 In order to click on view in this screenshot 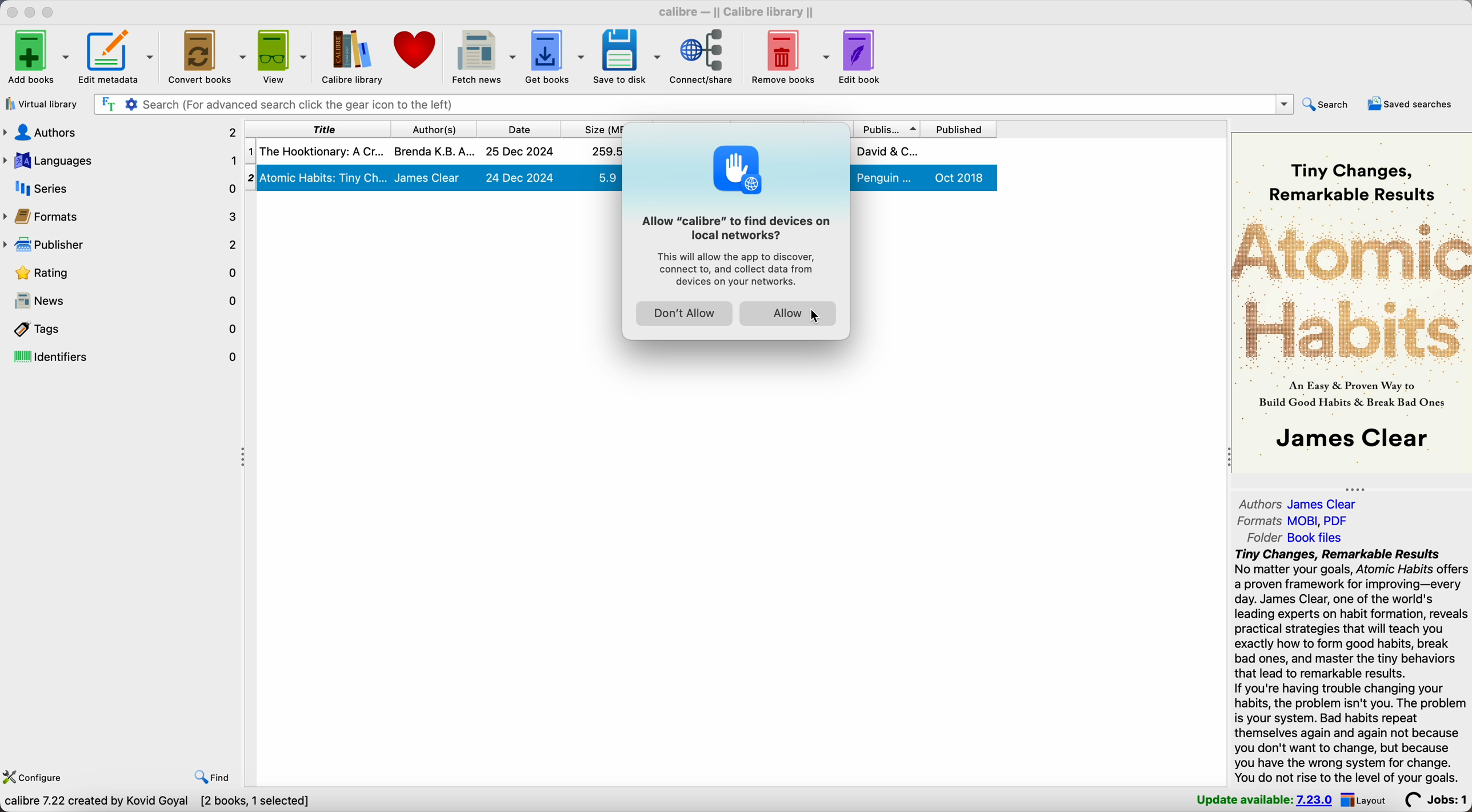, I will do `click(283, 56)`.